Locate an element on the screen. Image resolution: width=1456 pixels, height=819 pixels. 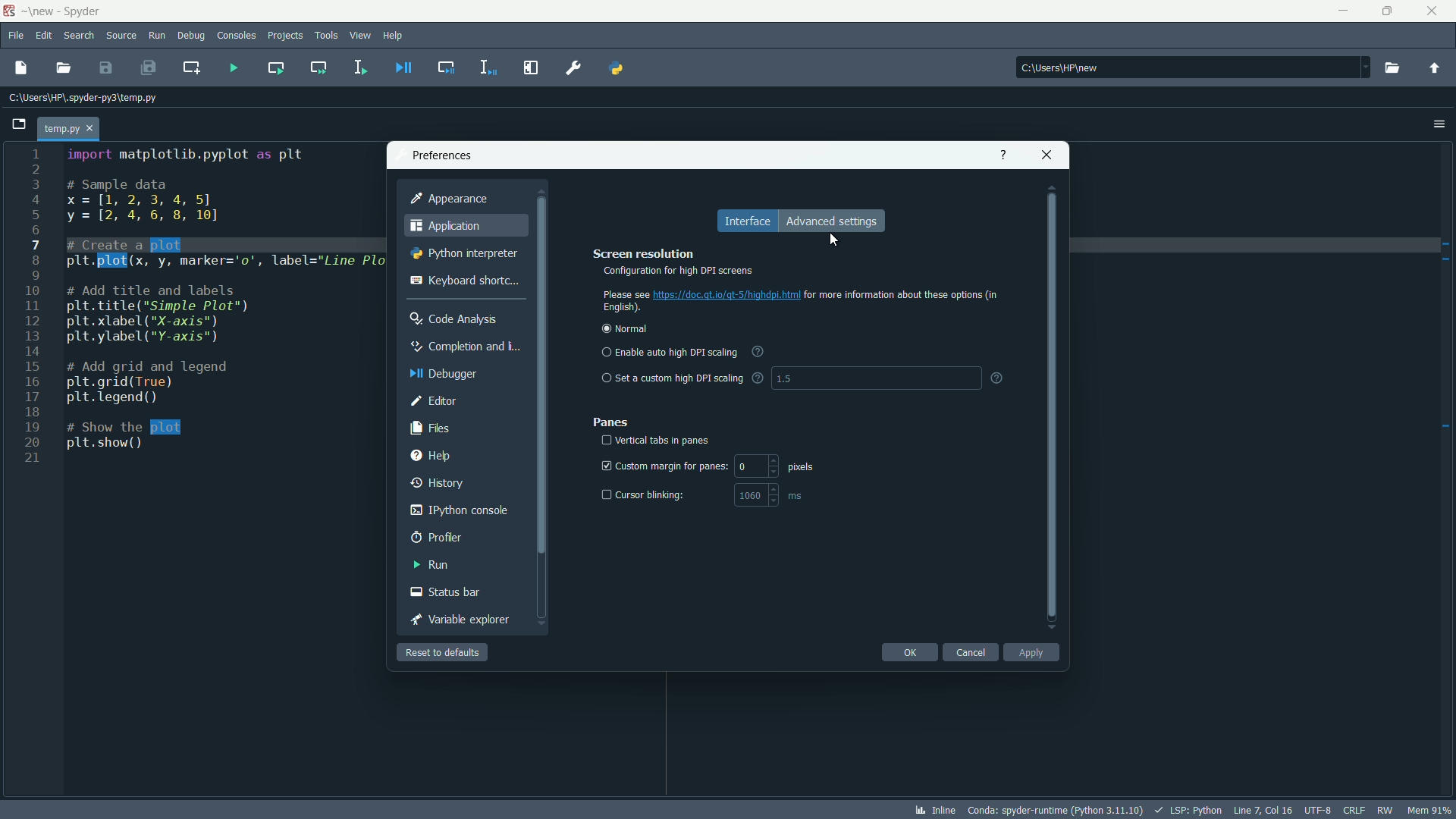
rw is located at coordinates (1387, 810).